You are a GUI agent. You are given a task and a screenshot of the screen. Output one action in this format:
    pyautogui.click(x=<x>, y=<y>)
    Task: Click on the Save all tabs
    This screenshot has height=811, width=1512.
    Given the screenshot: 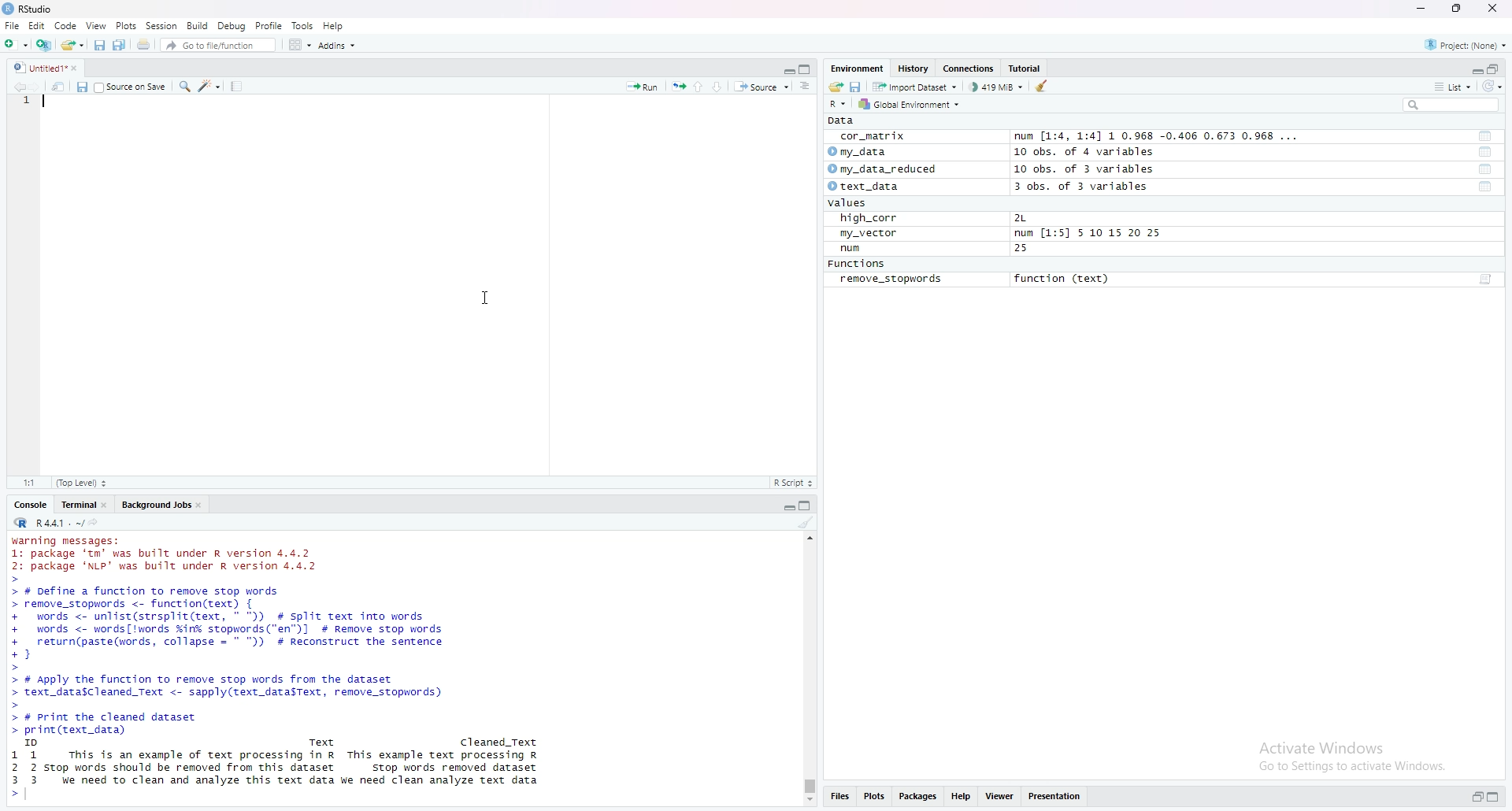 What is the action you would take?
    pyautogui.click(x=118, y=46)
    